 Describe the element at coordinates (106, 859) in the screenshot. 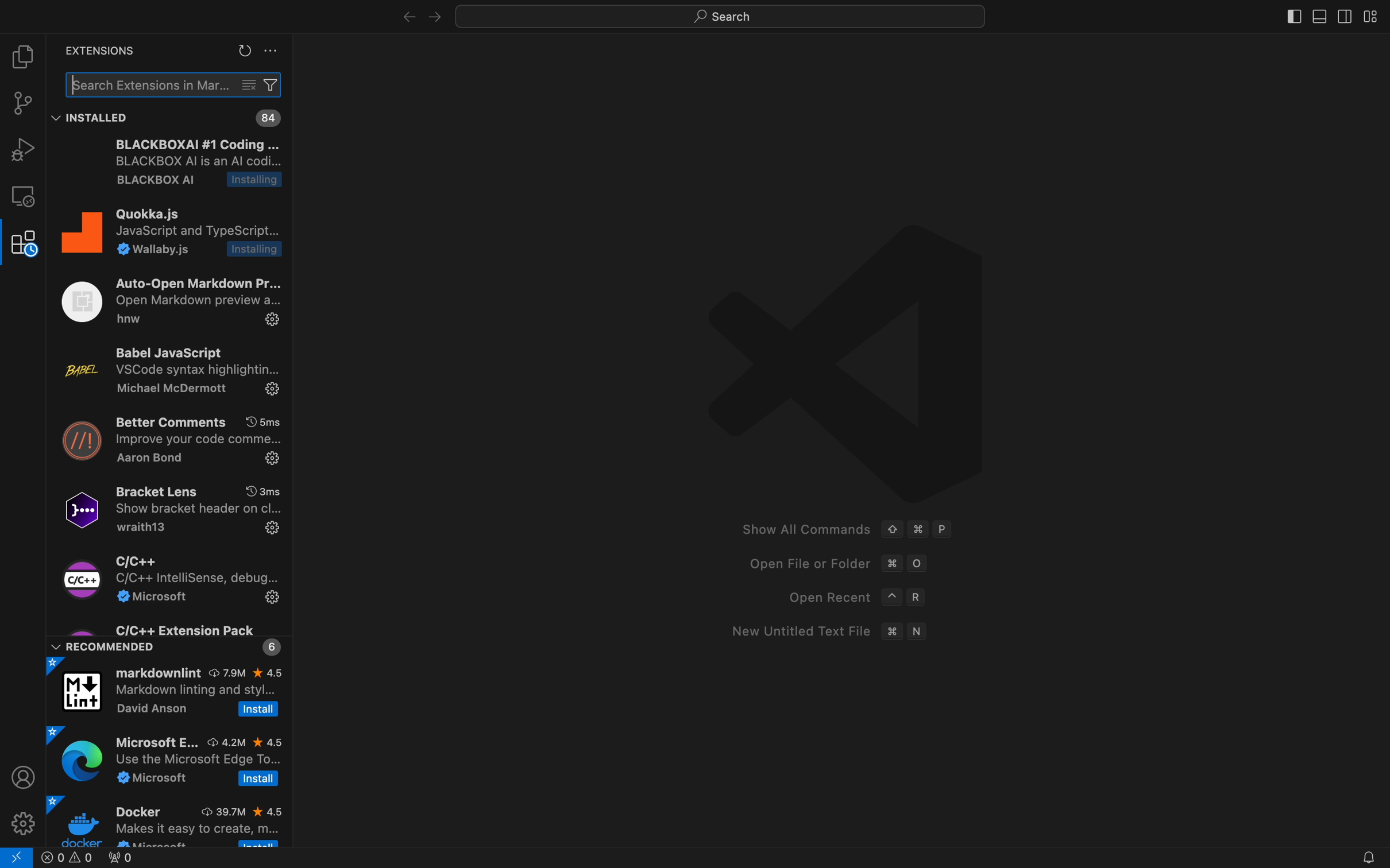

I see `error logs` at that location.